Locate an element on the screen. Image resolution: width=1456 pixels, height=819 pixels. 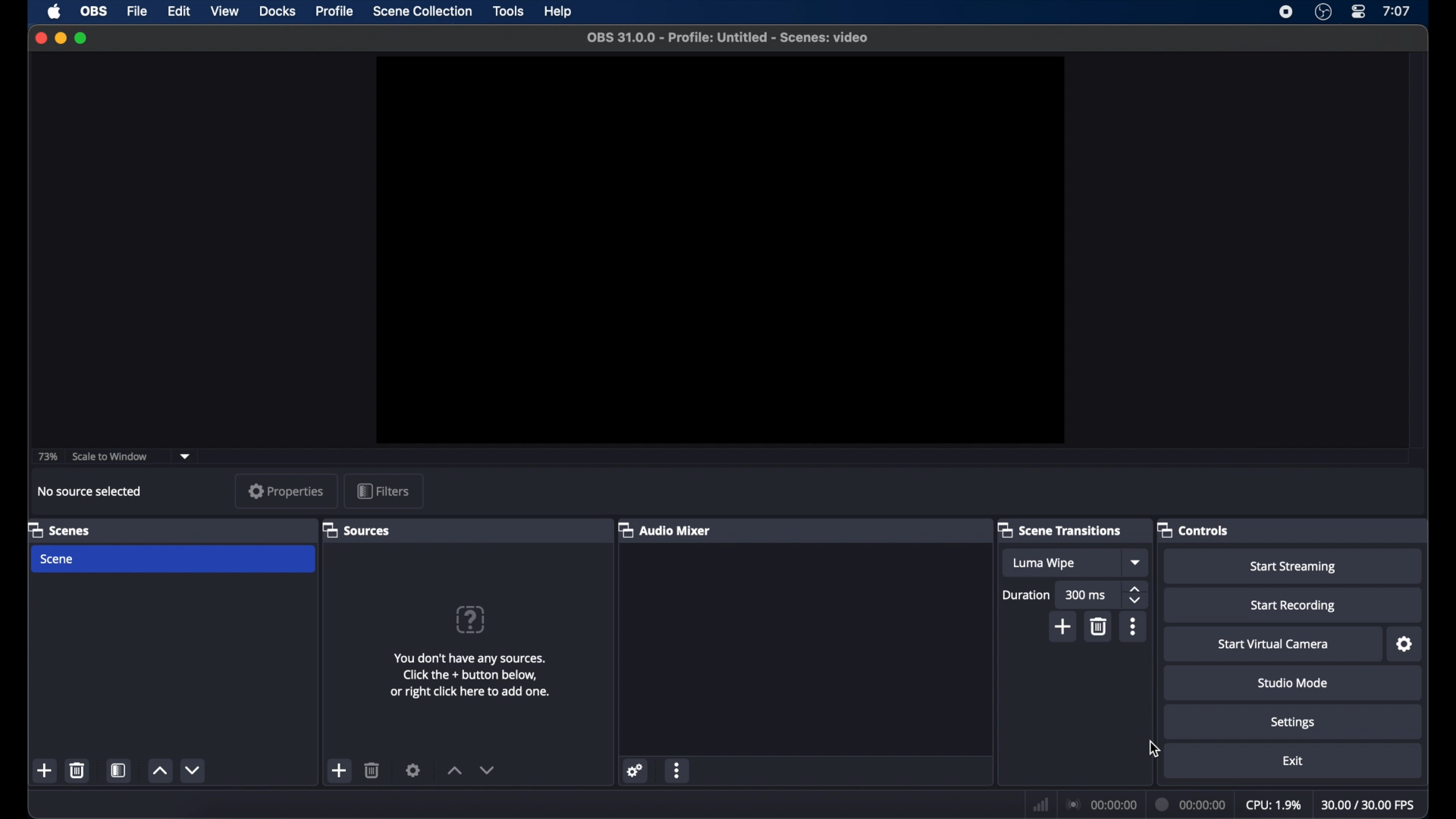
obs studio is located at coordinates (1323, 12).